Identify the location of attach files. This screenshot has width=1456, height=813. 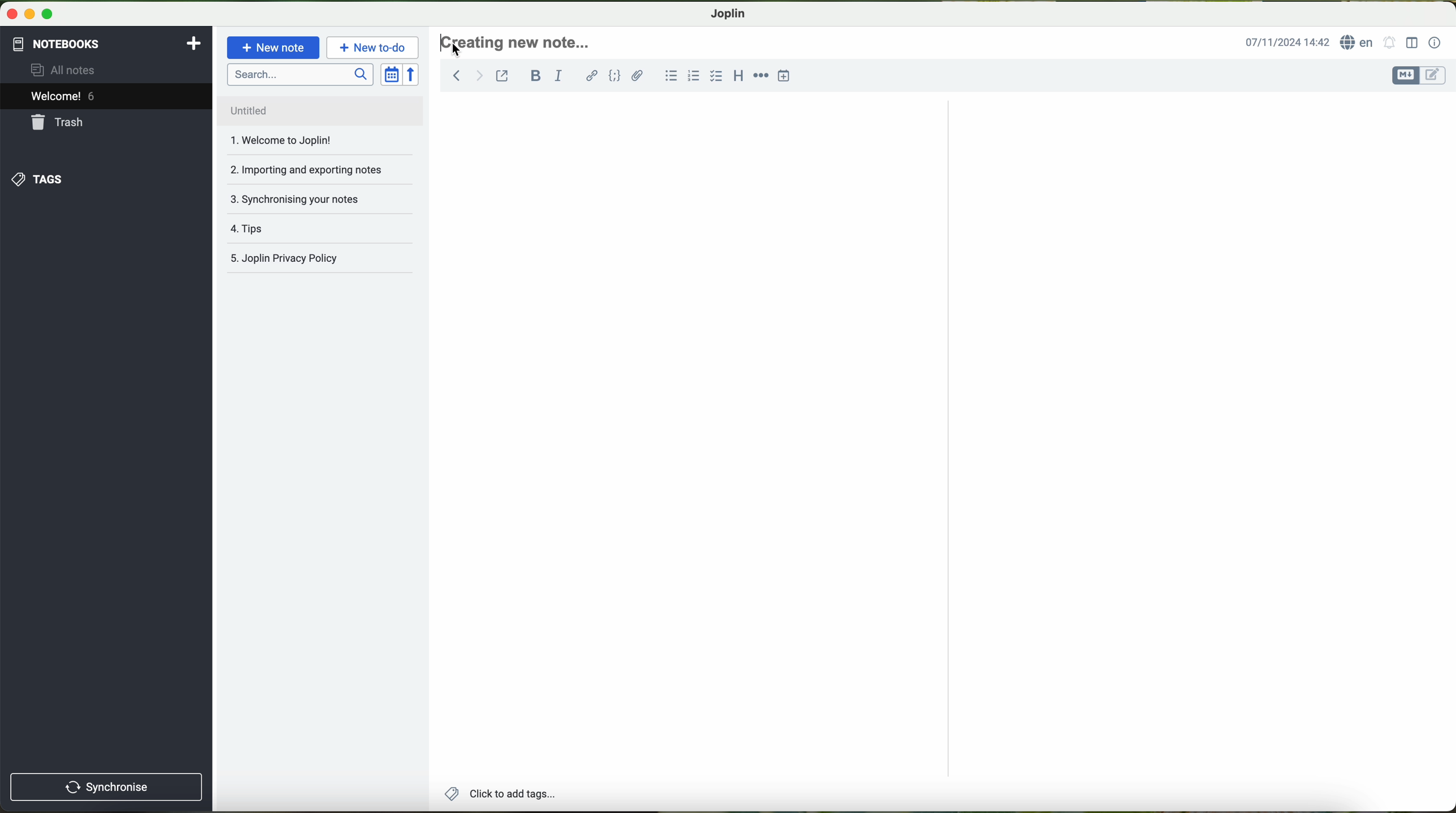
(639, 78).